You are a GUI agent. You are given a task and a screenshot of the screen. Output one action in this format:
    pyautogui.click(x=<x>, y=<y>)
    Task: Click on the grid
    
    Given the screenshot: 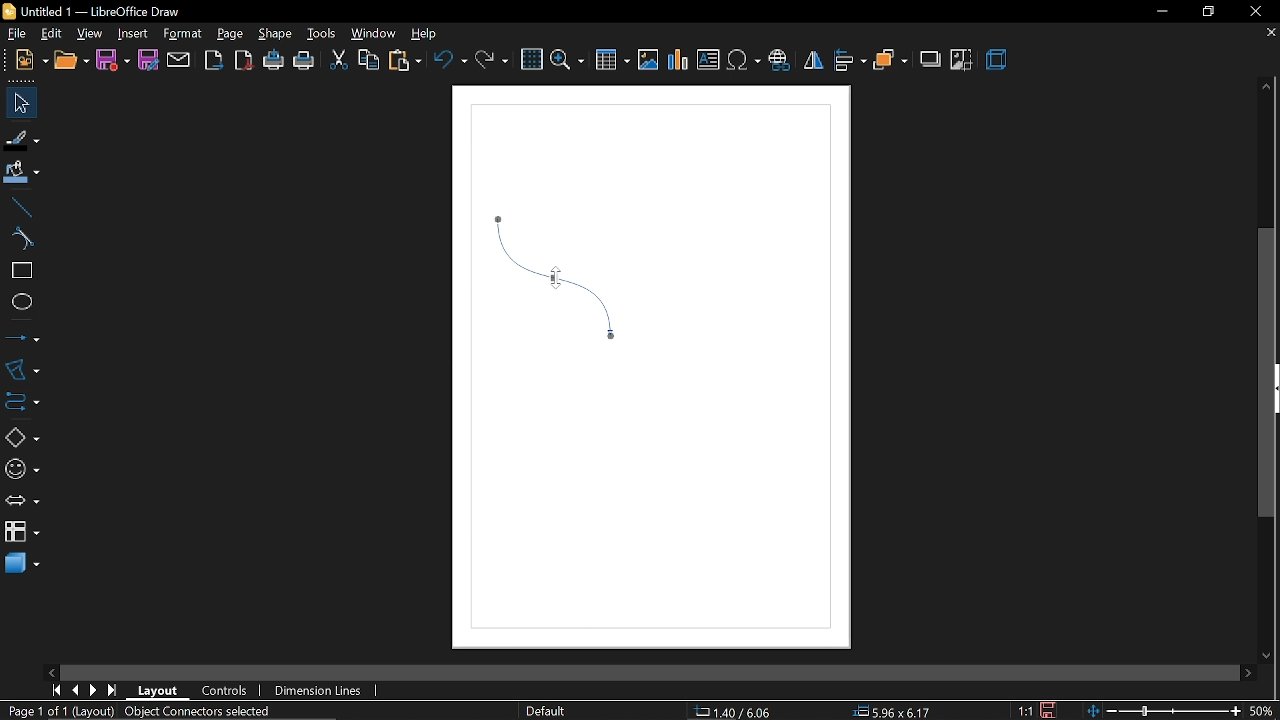 What is the action you would take?
    pyautogui.click(x=530, y=59)
    